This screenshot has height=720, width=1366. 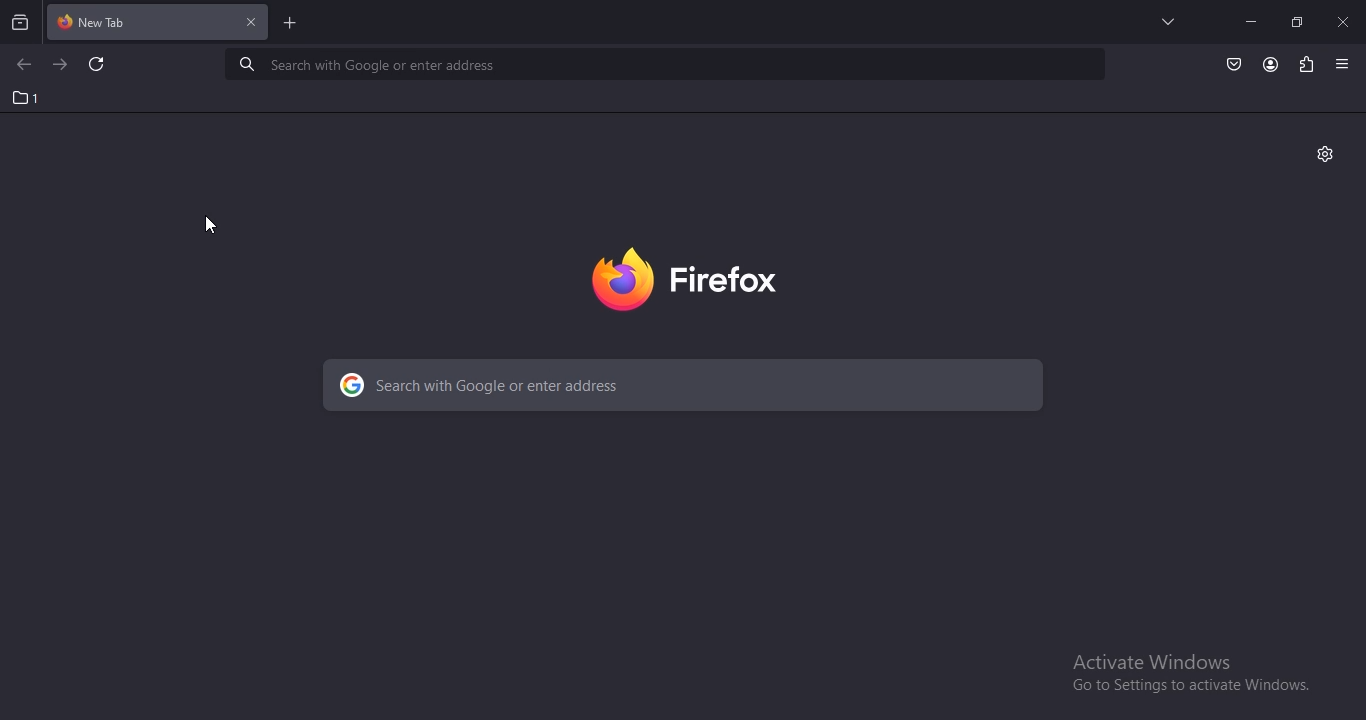 I want to click on search, so click(x=686, y=388).